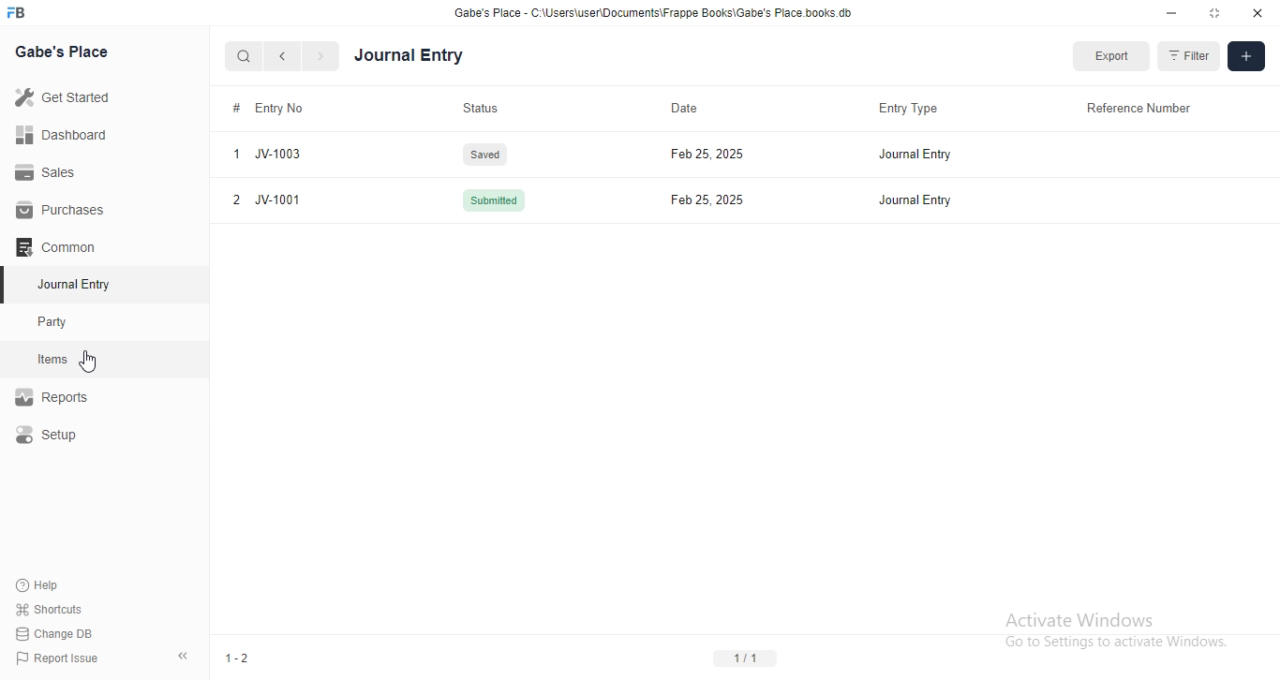 The height and width of the screenshot is (680, 1280). What do you see at coordinates (244, 58) in the screenshot?
I see `search` at bounding box center [244, 58].